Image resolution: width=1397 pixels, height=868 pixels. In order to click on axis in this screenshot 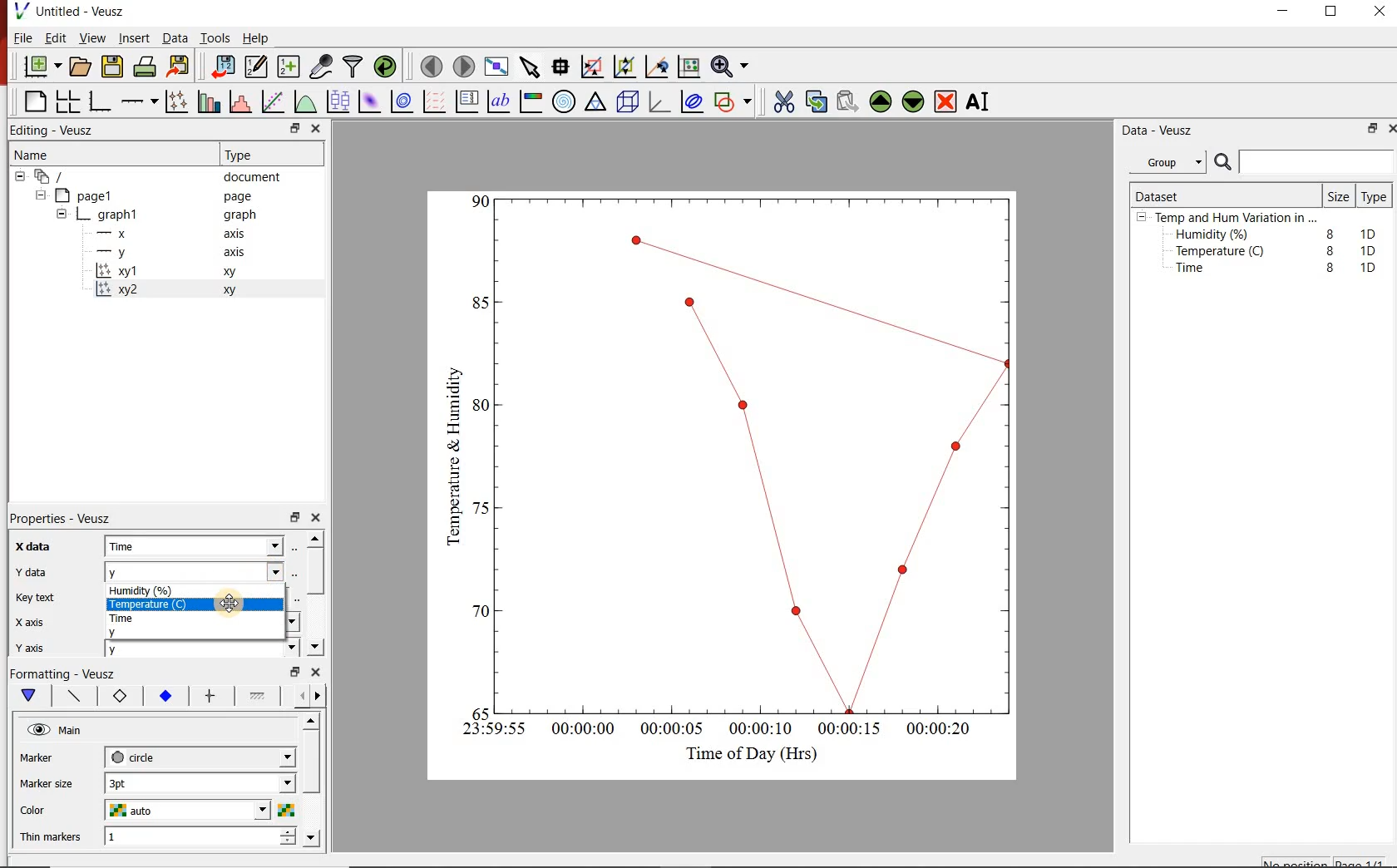, I will do `click(239, 235)`.